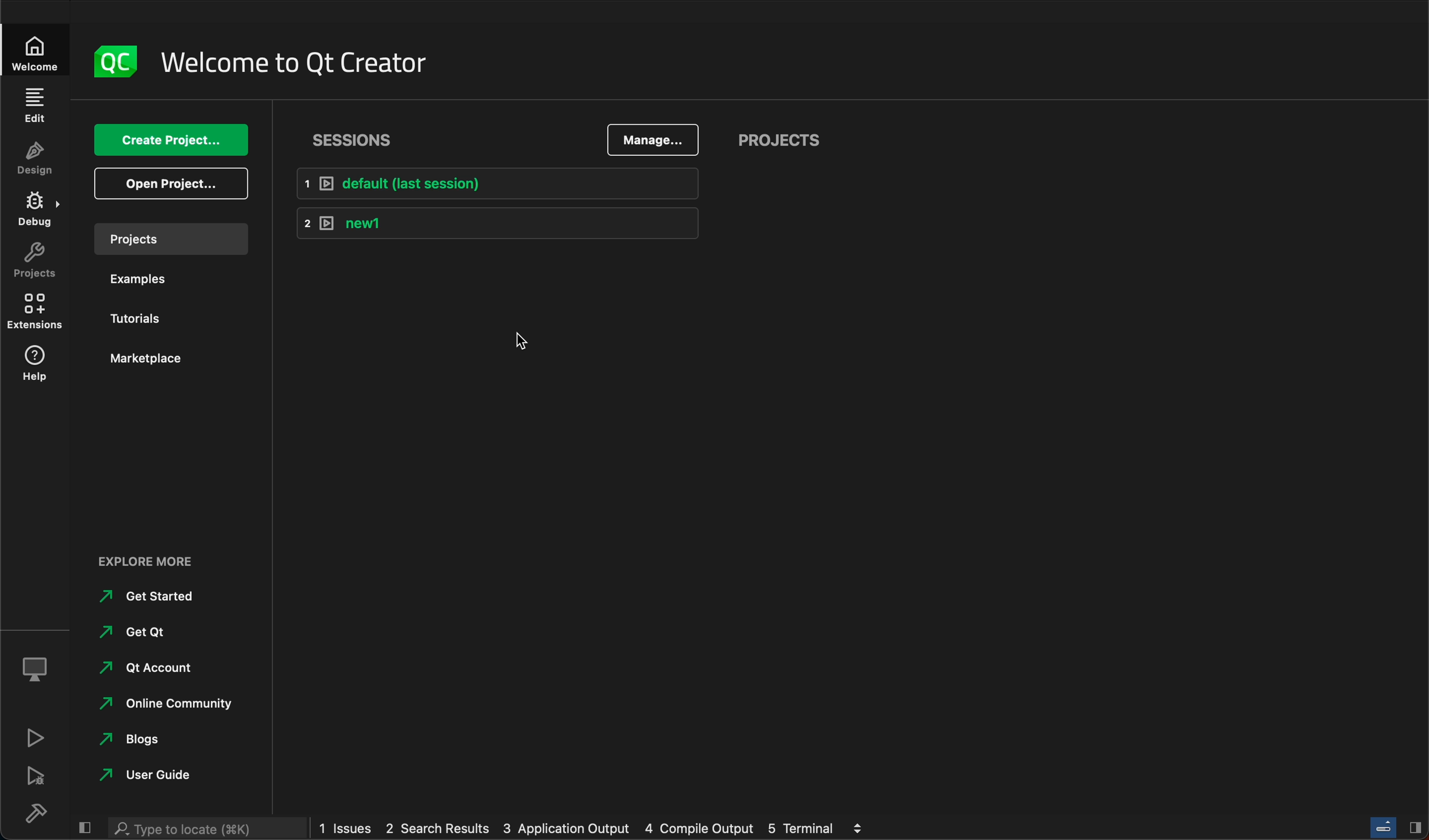  What do you see at coordinates (39, 665) in the screenshot?
I see `debug` at bounding box center [39, 665].